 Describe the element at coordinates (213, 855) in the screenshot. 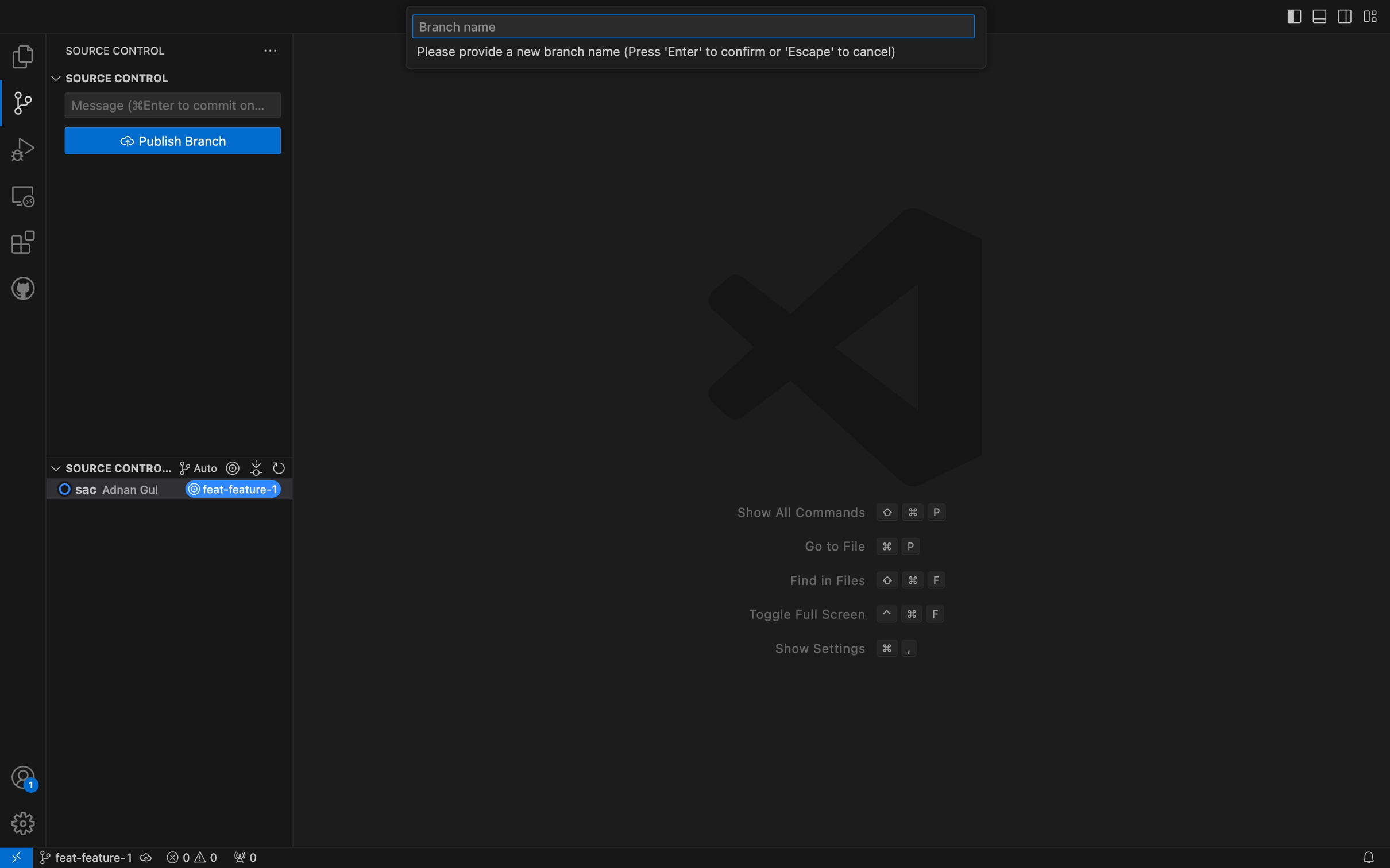

I see `error logs` at that location.